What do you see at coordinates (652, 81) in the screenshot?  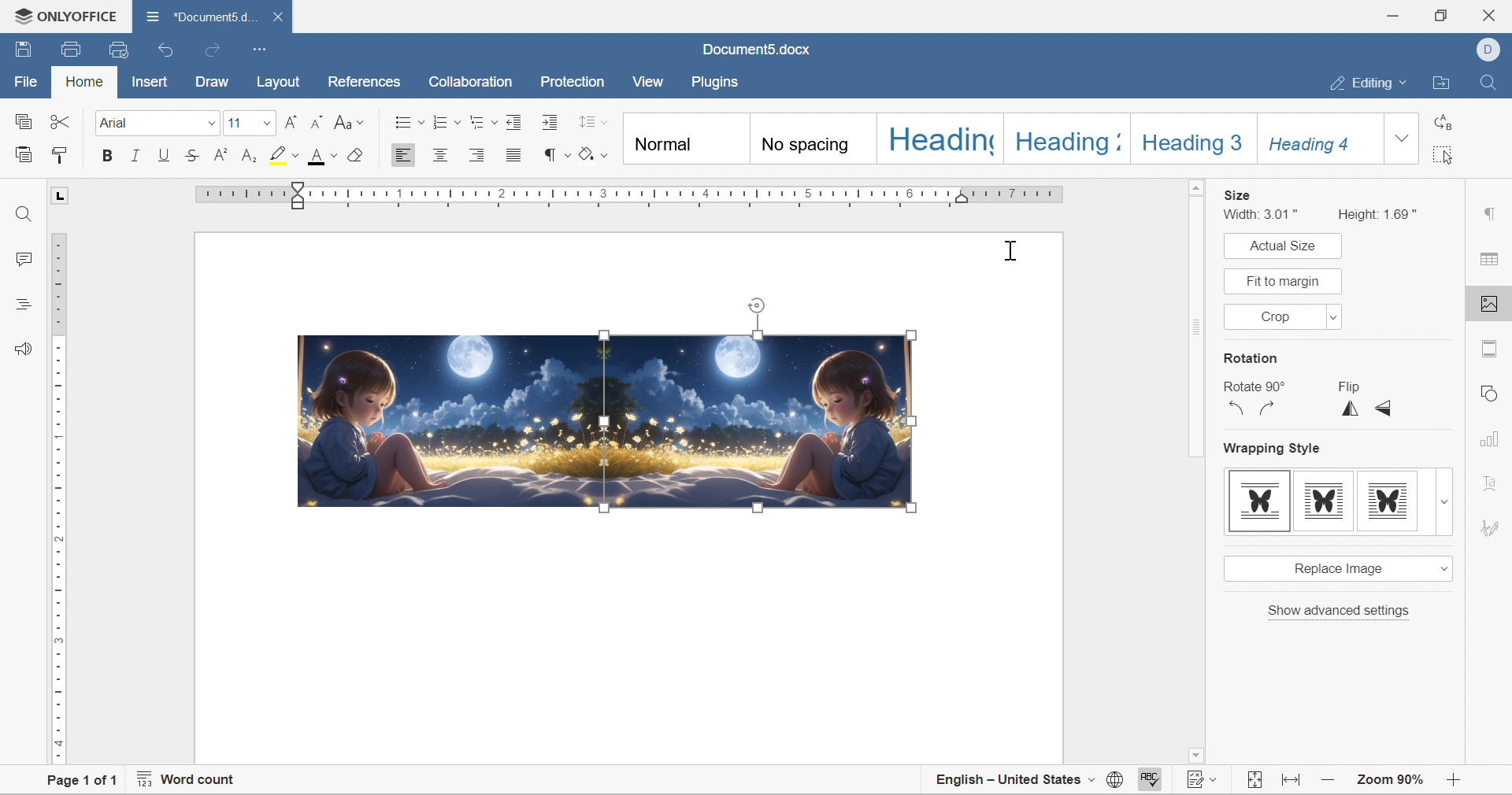 I see `view` at bounding box center [652, 81].